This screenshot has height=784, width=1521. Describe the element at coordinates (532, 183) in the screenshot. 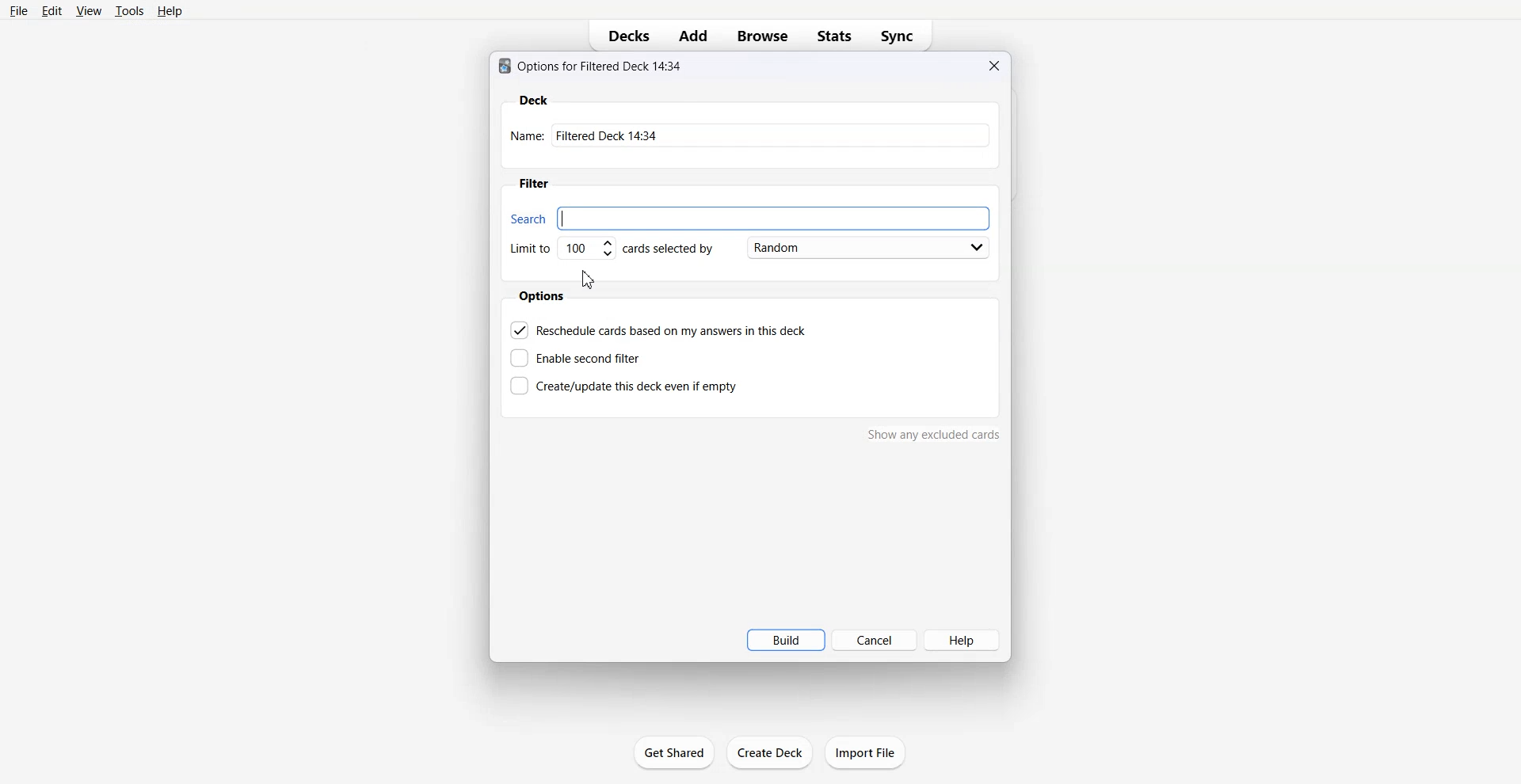

I see `Filter` at that location.